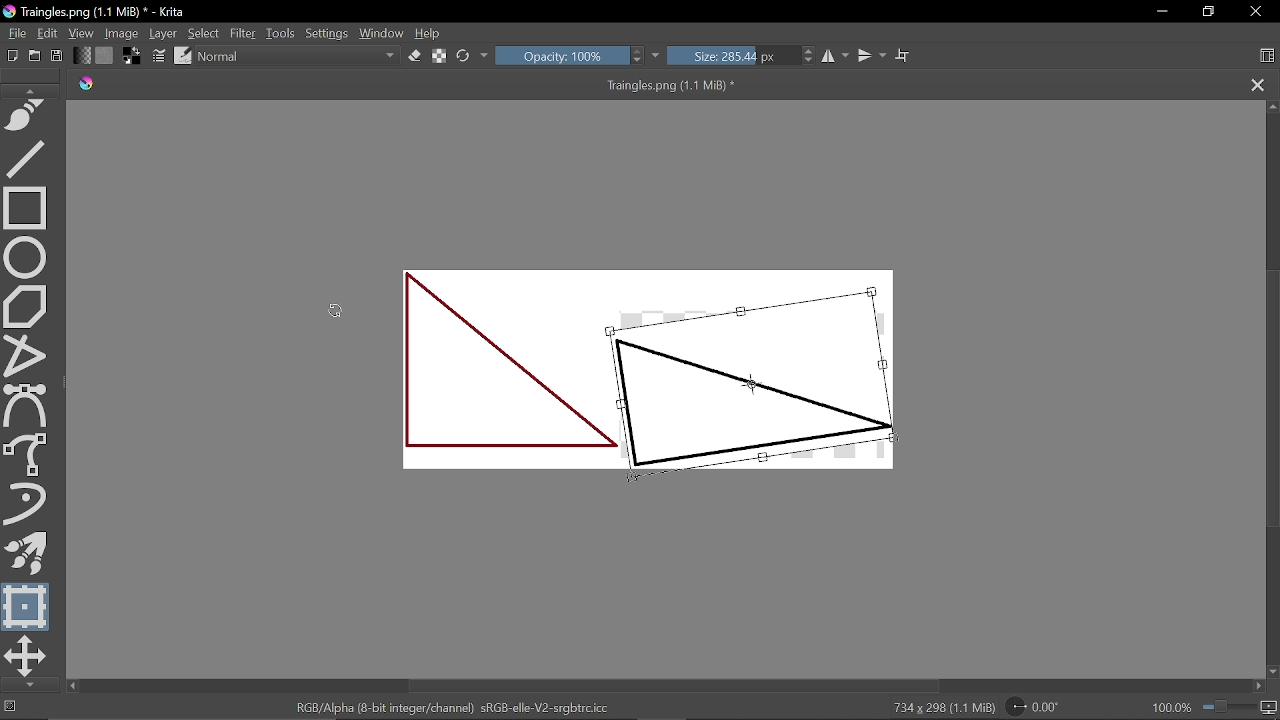  What do you see at coordinates (441, 56) in the screenshot?
I see `Preserve alpha` at bounding box center [441, 56].